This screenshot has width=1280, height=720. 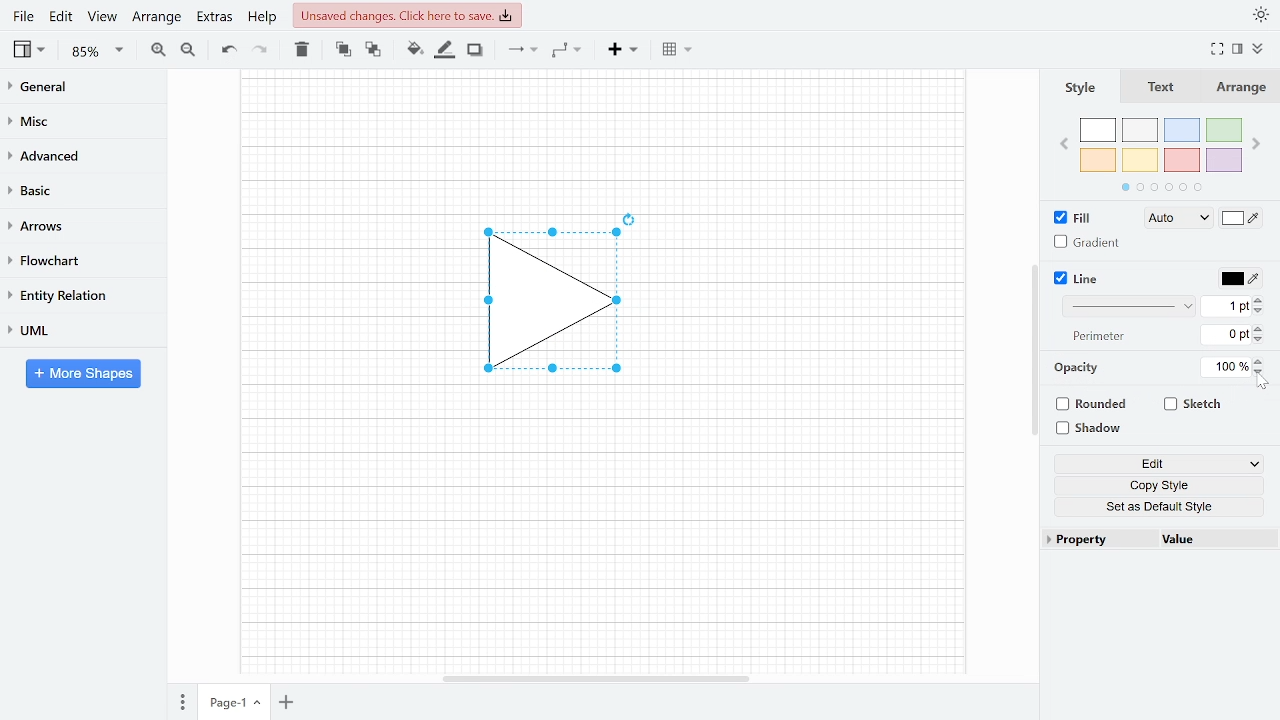 What do you see at coordinates (1094, 406) in the screenshot?
I see `Rounded` at bounding box center [1094, 406].